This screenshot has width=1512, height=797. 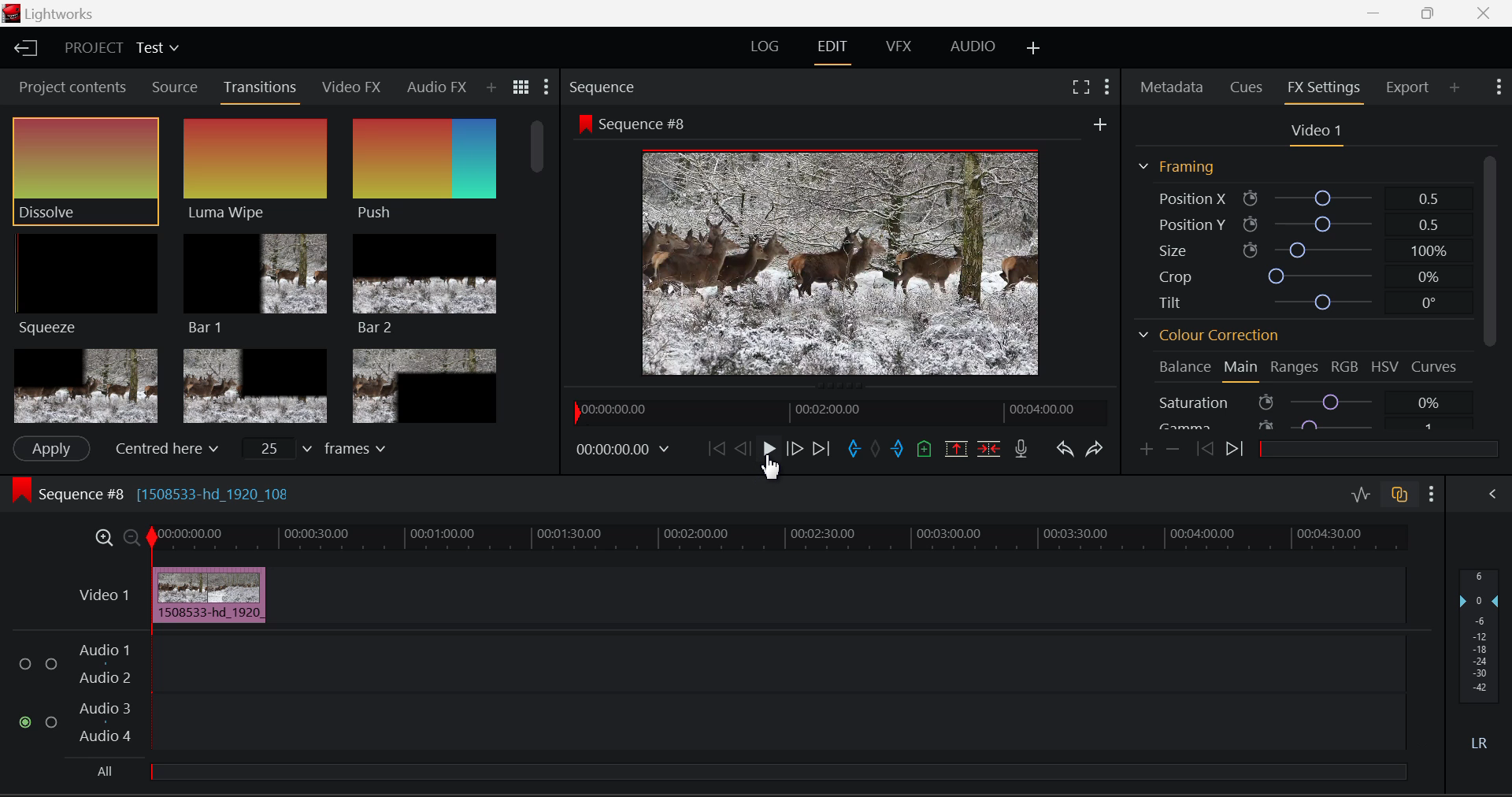 I want to click on Gamma, so click(x=1303, y=425).